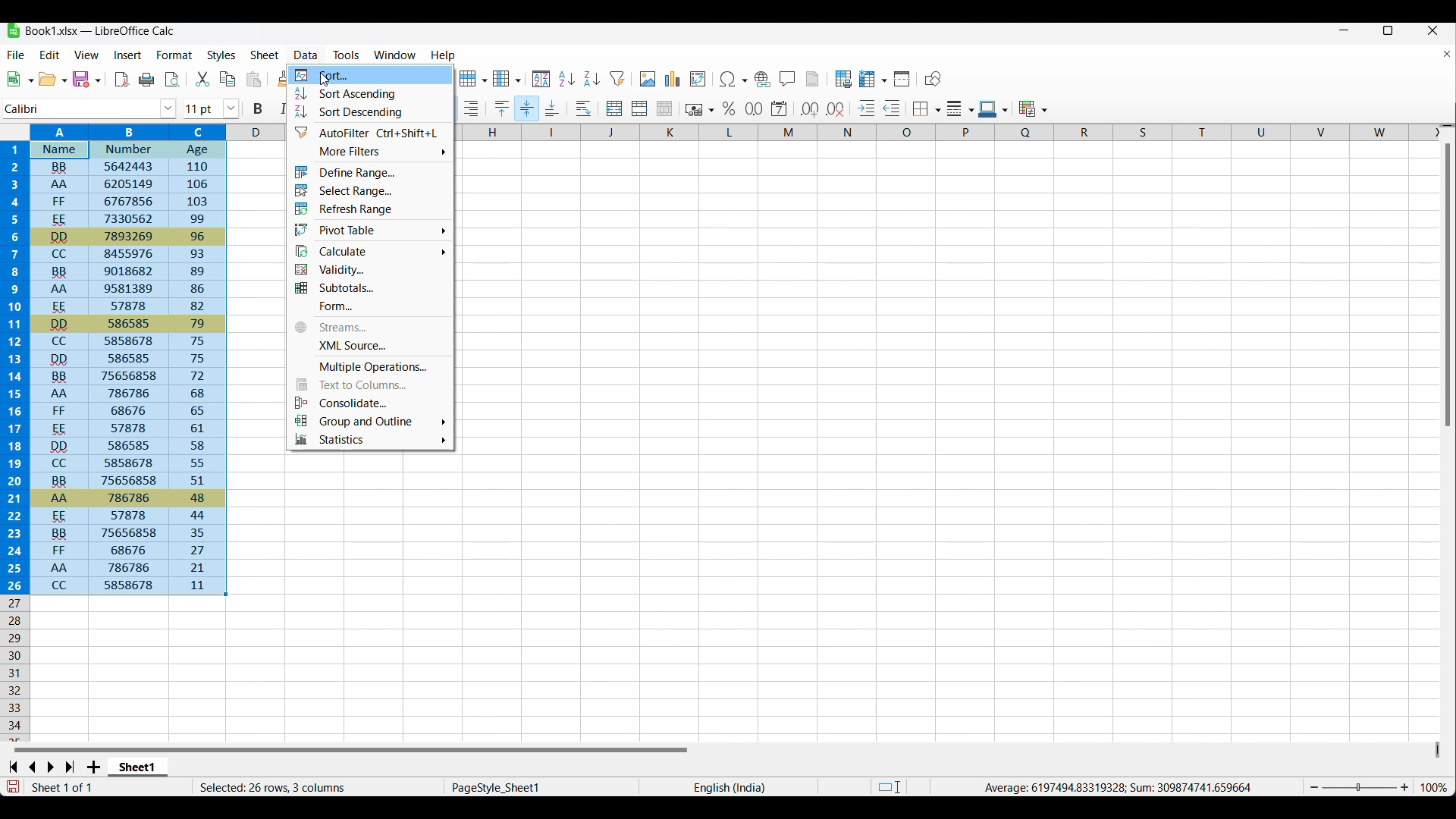 The image size is (1456, 819). What do you see at coordinates (788, 78) in the screenshot?
I see `Insert comment` at bounding box center [788, 78].